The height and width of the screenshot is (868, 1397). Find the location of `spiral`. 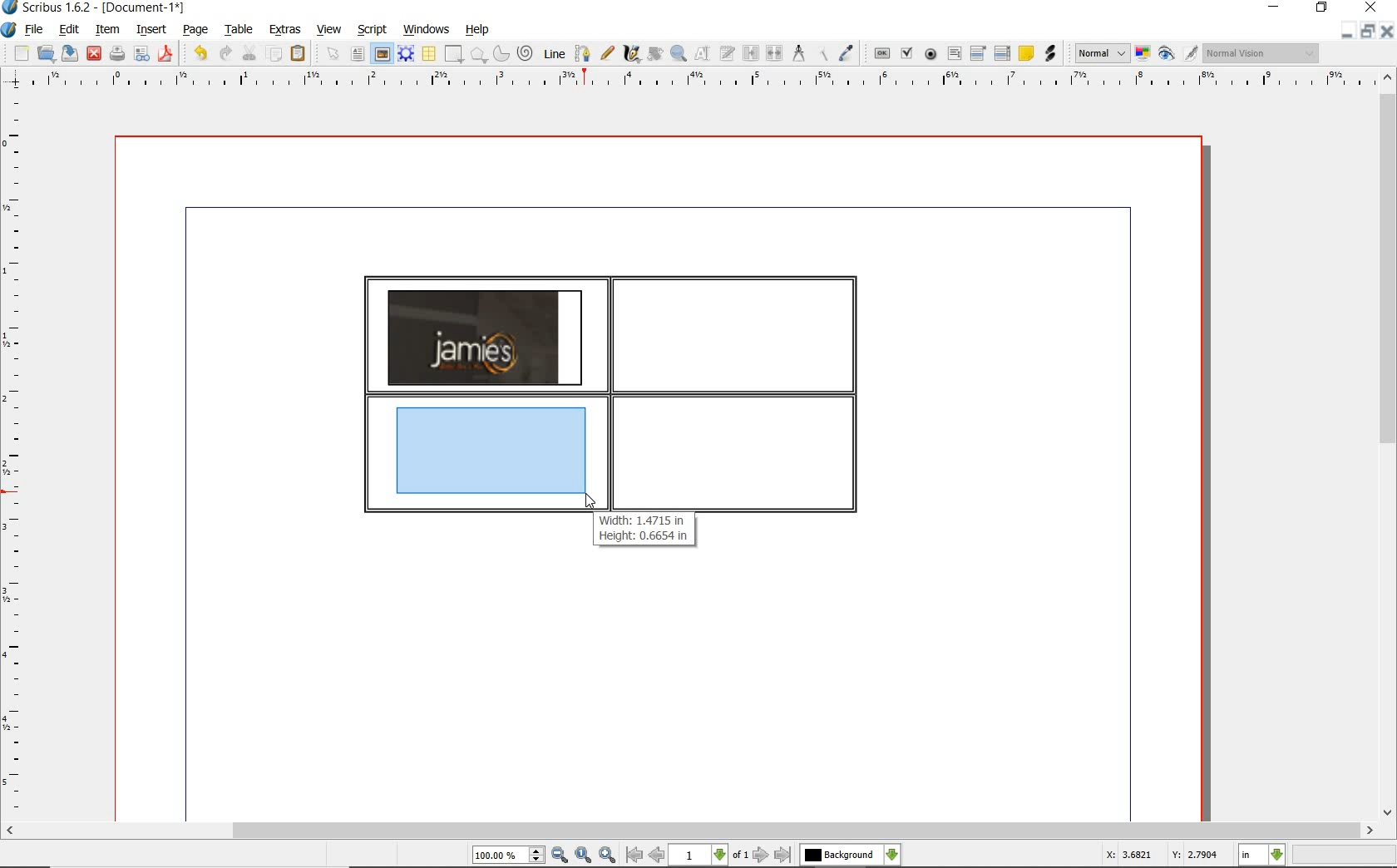

spiral is located at coordinates (526, 54).